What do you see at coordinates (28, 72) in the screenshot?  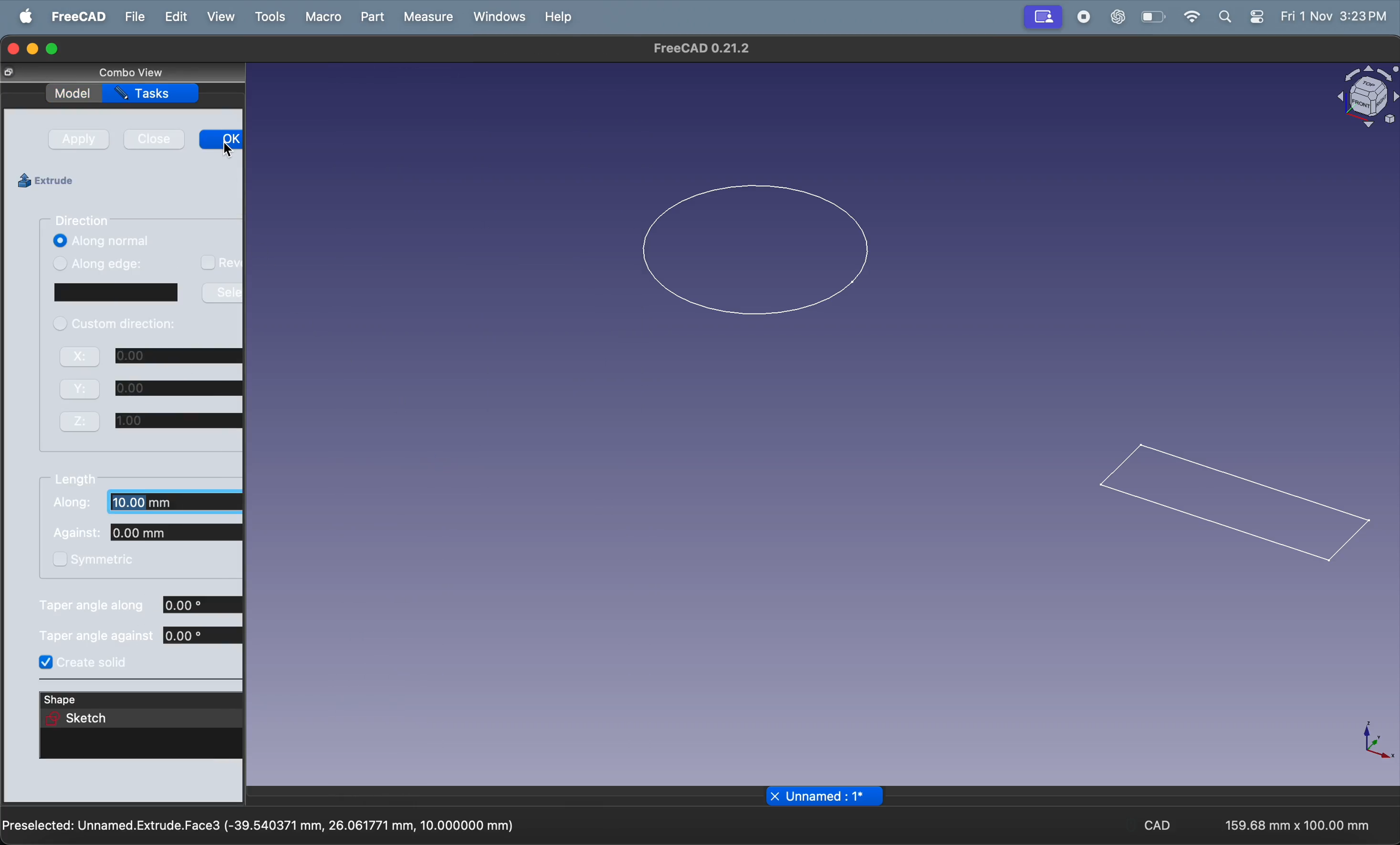 I see `resize` at bounding box center [28, 72].